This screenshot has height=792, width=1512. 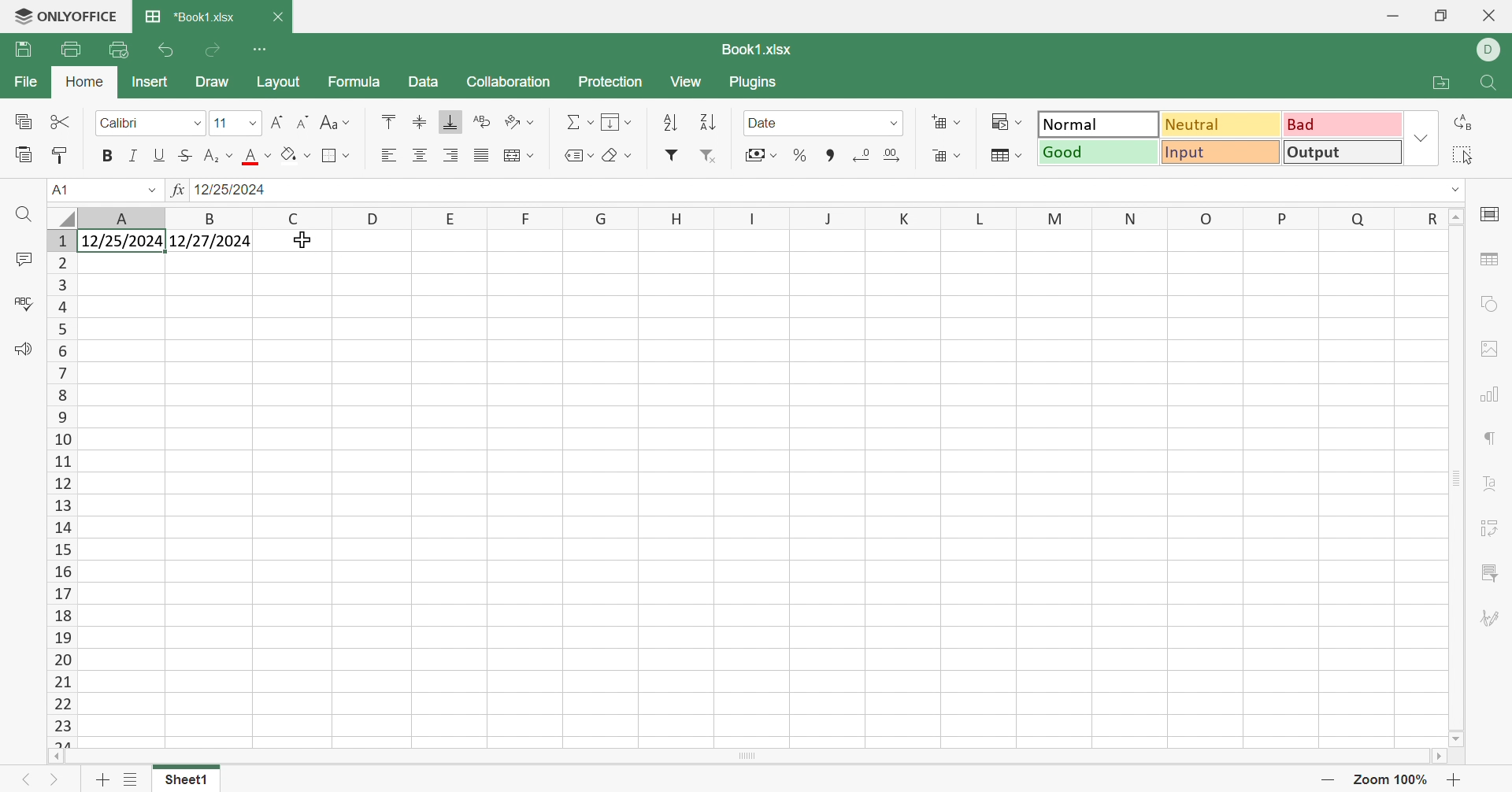 What do you see at coordinates (1456, 480) in the screenshot?
I see `Scroll Bar` at bounding box center [1456, 480].